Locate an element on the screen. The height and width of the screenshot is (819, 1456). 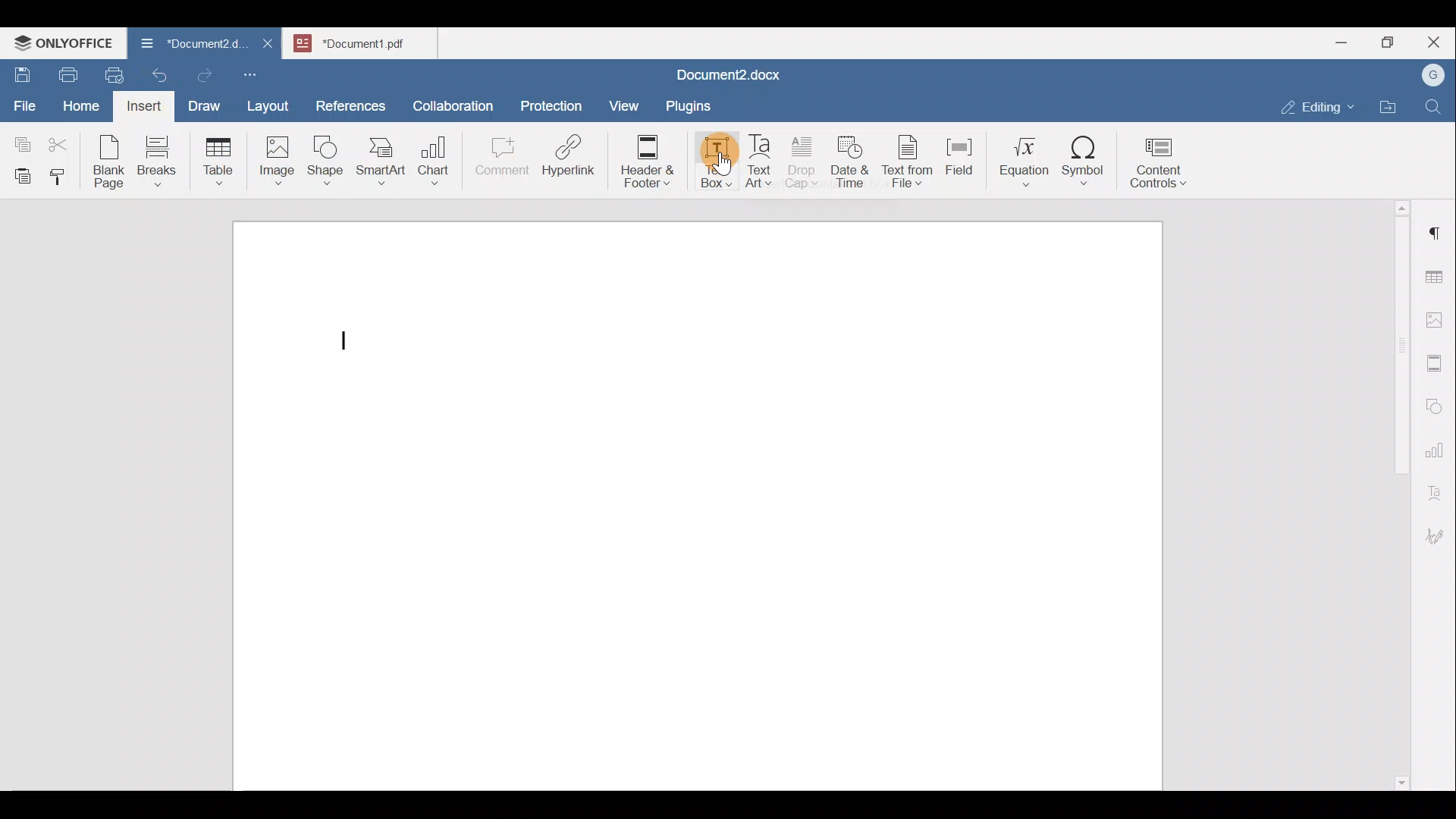
Home is located at coordinates (82, 105).